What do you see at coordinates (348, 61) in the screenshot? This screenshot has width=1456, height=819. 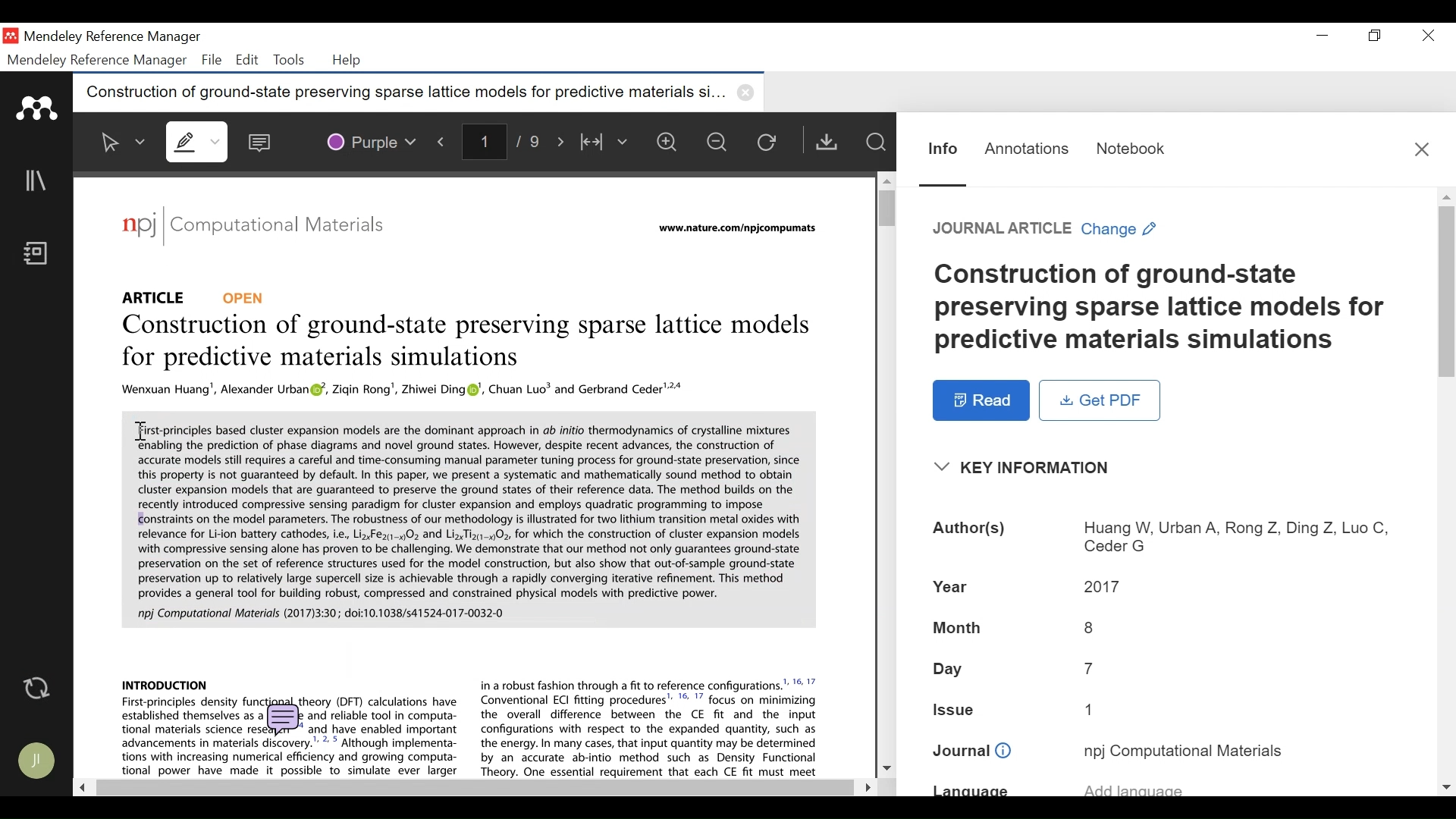 I see `Help` at bounding box center [348, 61].